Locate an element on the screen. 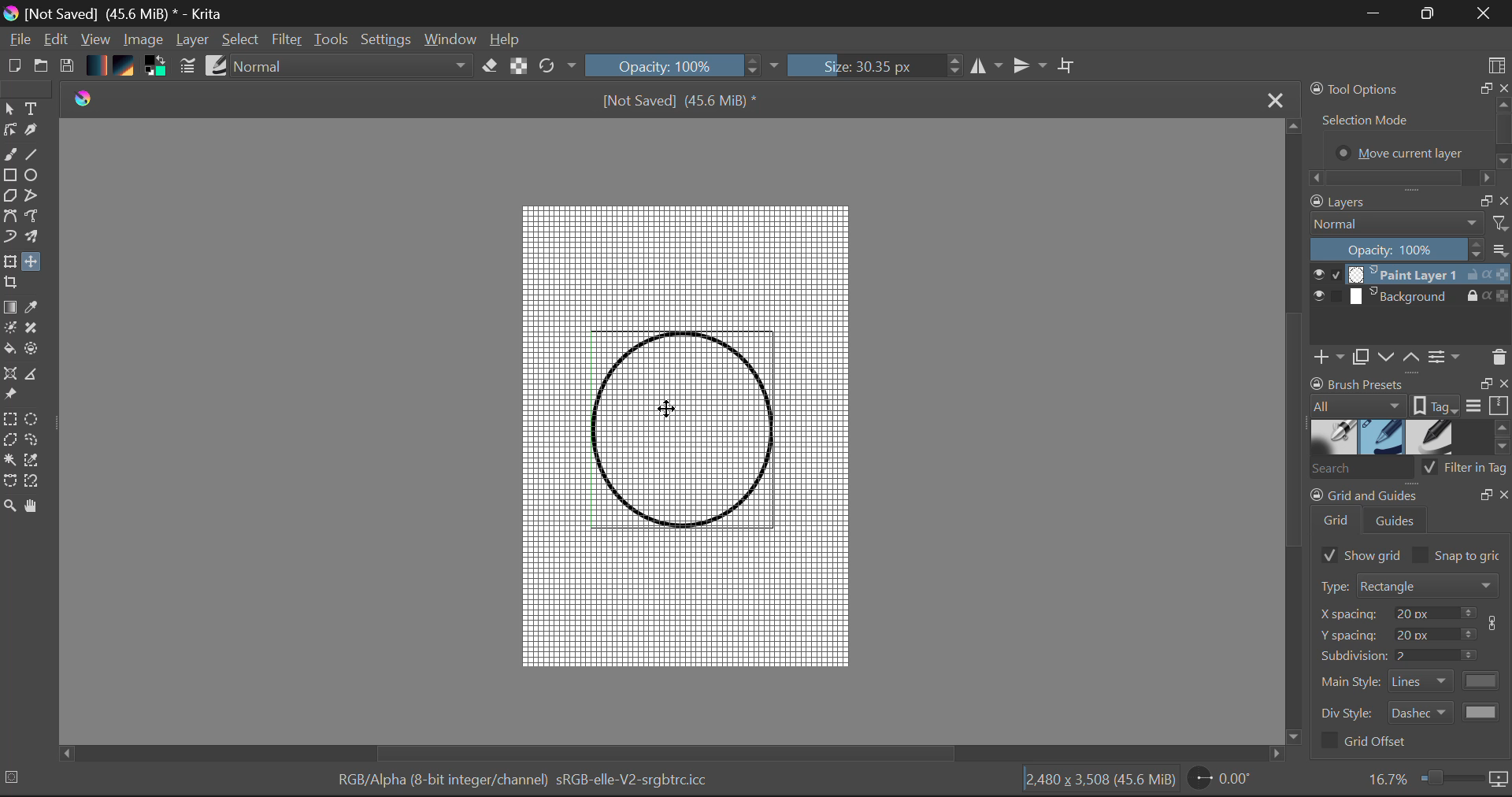 The image size is (1512, 797). Select is located at coordinates (241, 40).